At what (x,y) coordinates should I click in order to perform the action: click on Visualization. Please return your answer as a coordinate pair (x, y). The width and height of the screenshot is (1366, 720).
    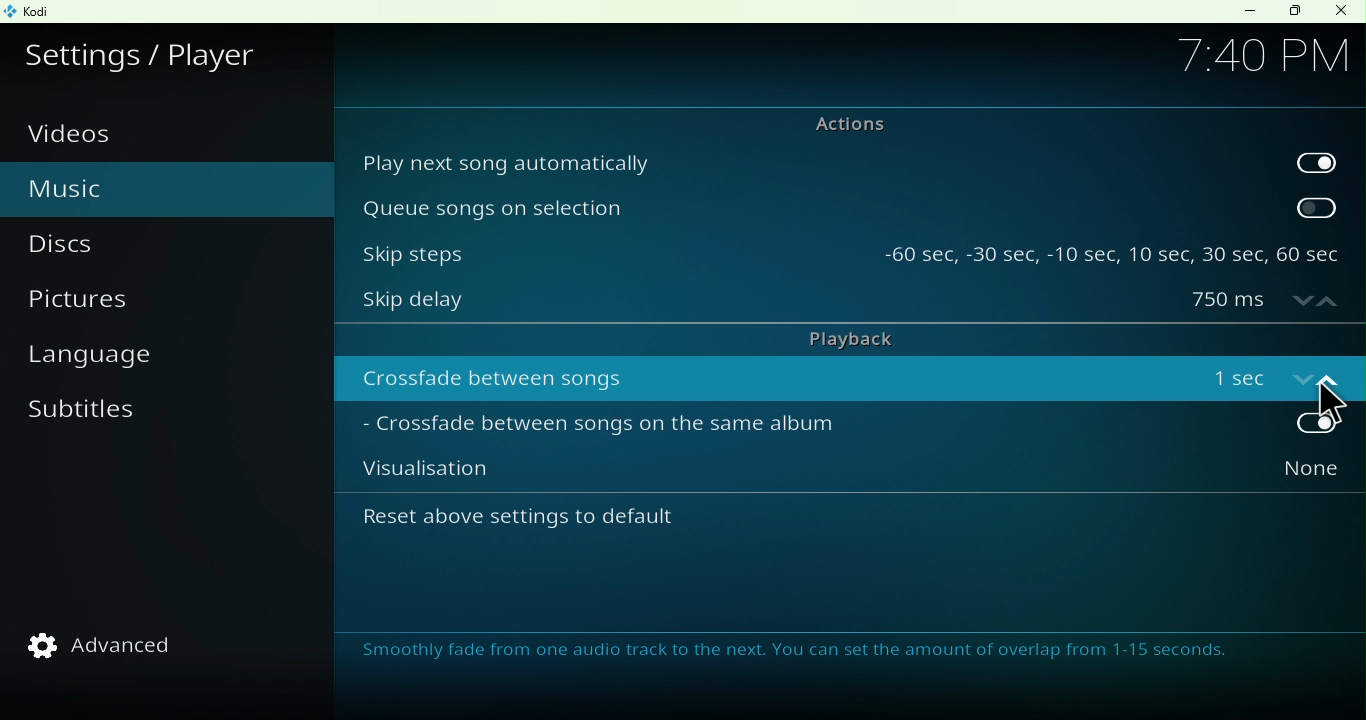
    Looking at the image, I should click on (762, 475).